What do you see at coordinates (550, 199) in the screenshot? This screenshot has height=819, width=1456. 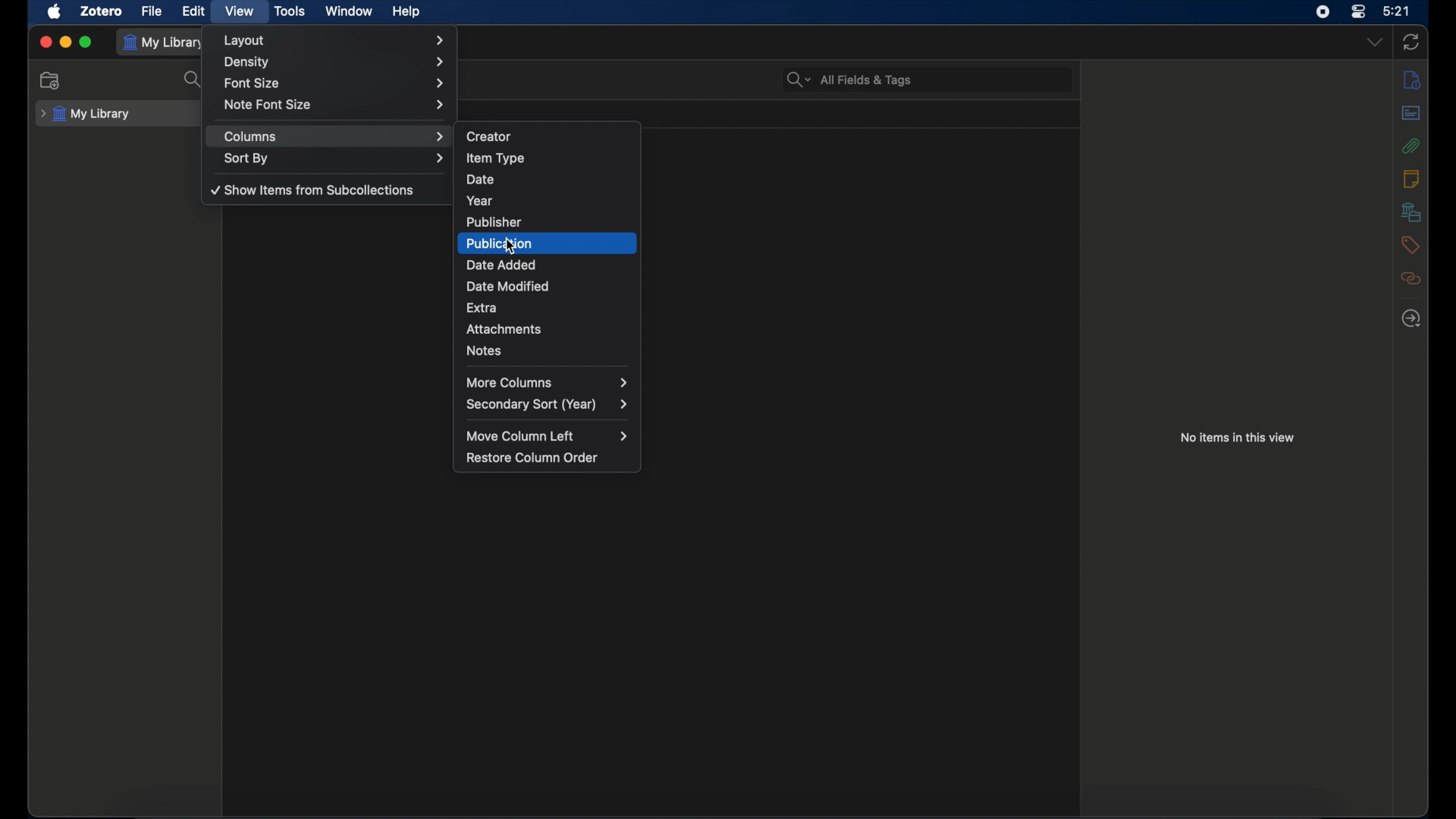 I see `year` at bounding box center [550, 199].